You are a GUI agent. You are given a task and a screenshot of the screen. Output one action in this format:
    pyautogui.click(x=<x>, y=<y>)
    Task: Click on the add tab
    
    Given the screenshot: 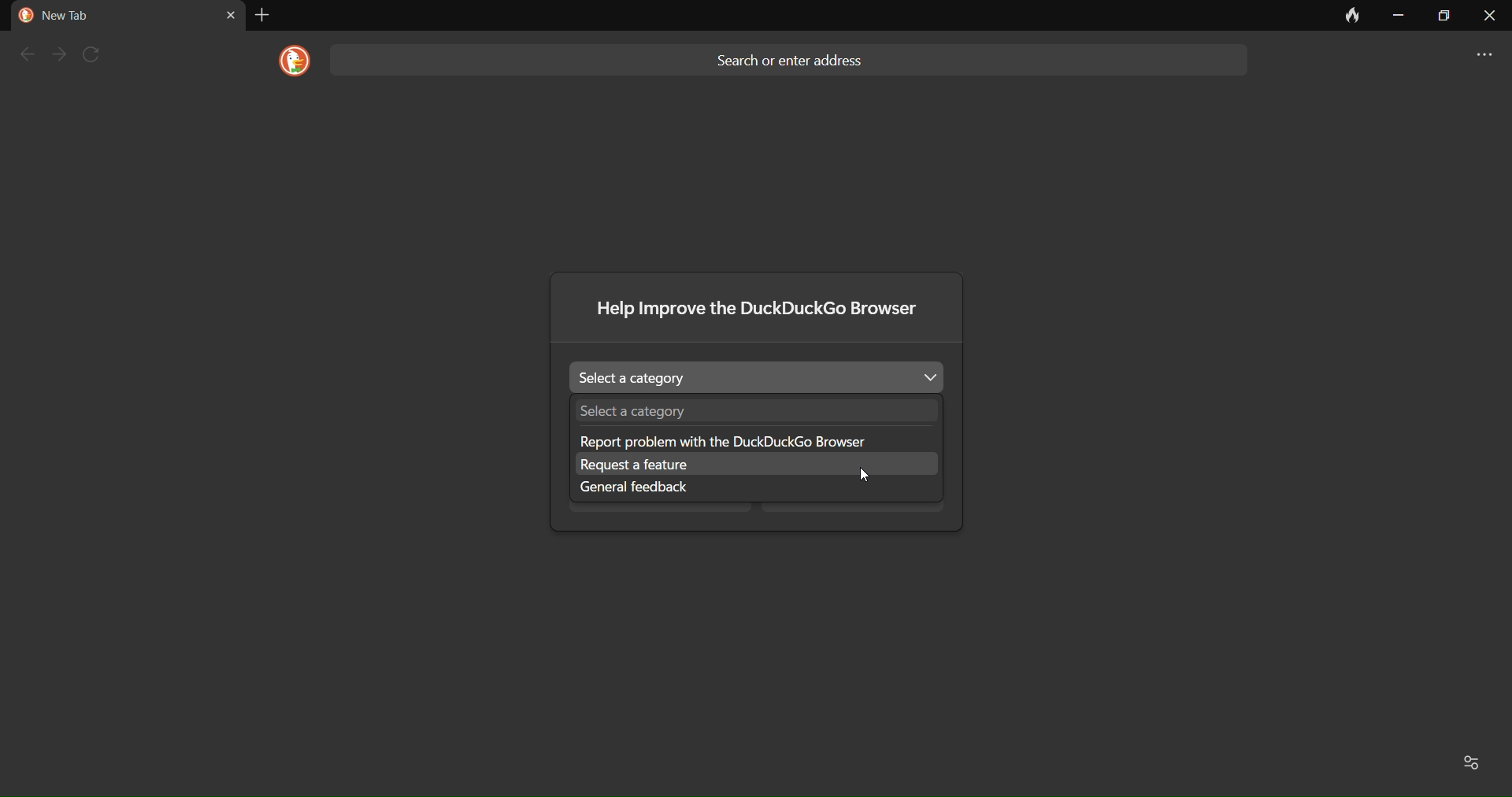 What is the action you would take?
    pyautogui.click(x=261, y=15)
    